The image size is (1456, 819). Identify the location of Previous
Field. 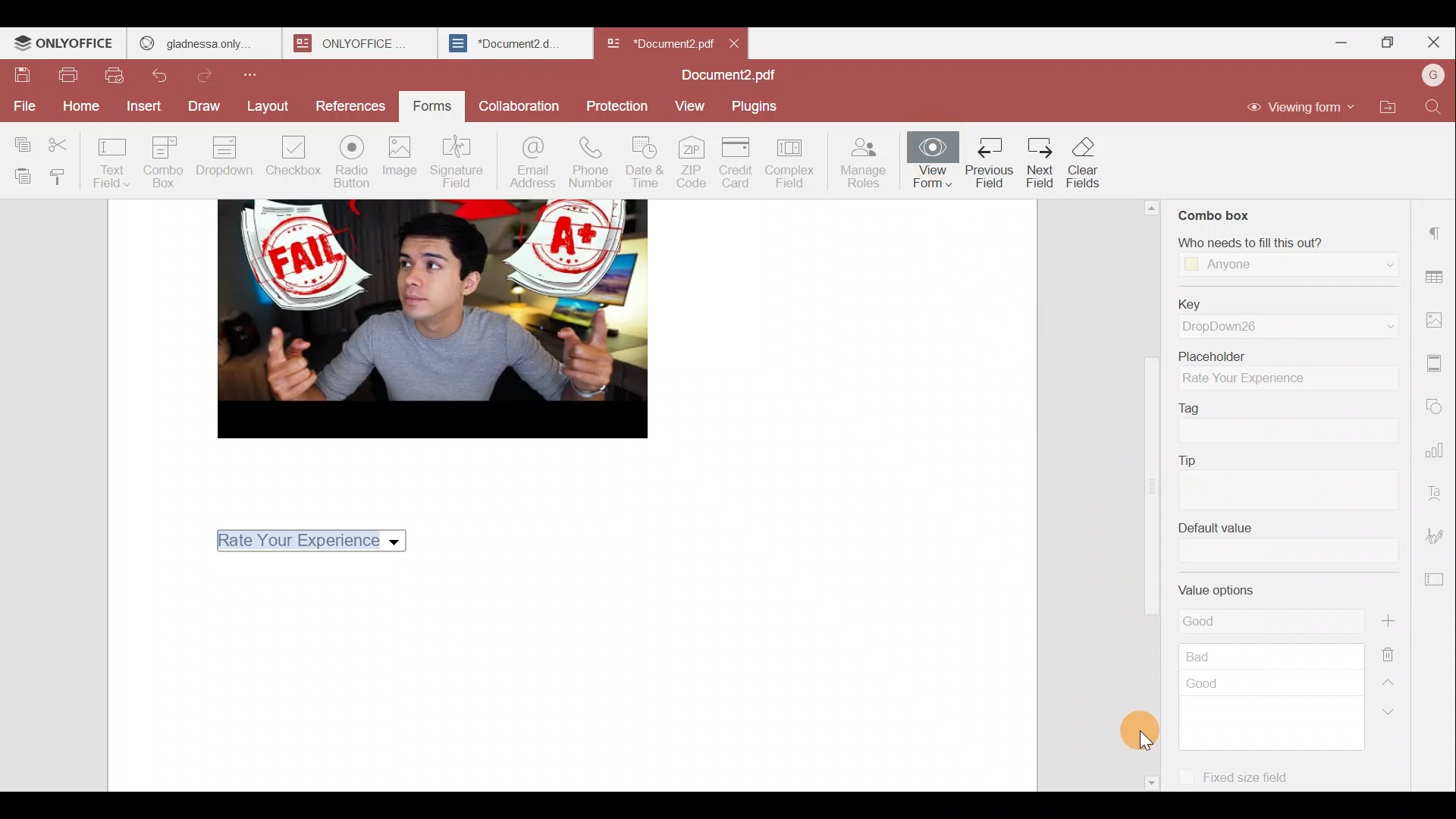
(989, 158).